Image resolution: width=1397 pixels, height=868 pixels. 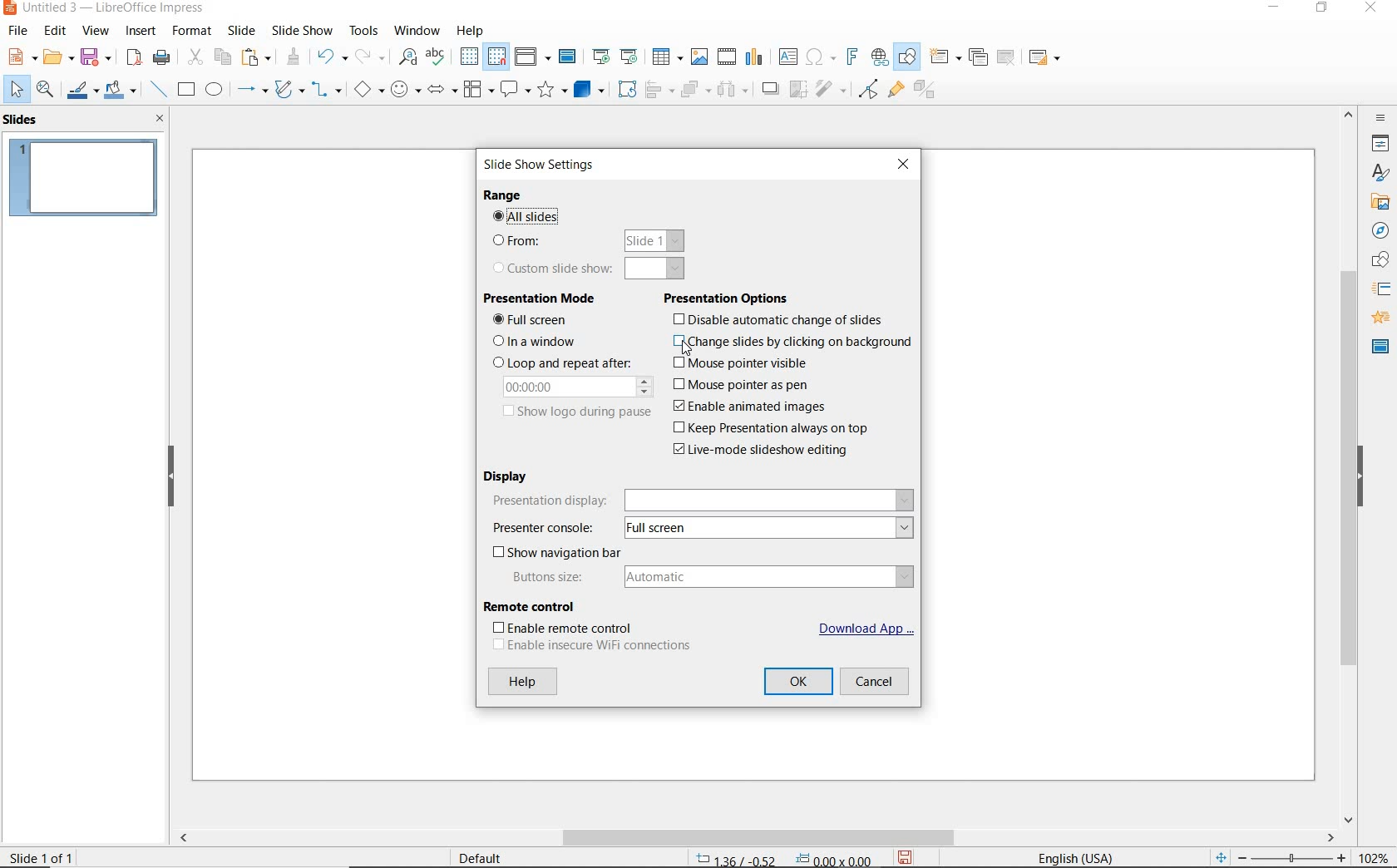 What do you see at coordinates (470, 57) in the screenshot?
I see `DISPLAY GRID` at bounding box center [470, 57].